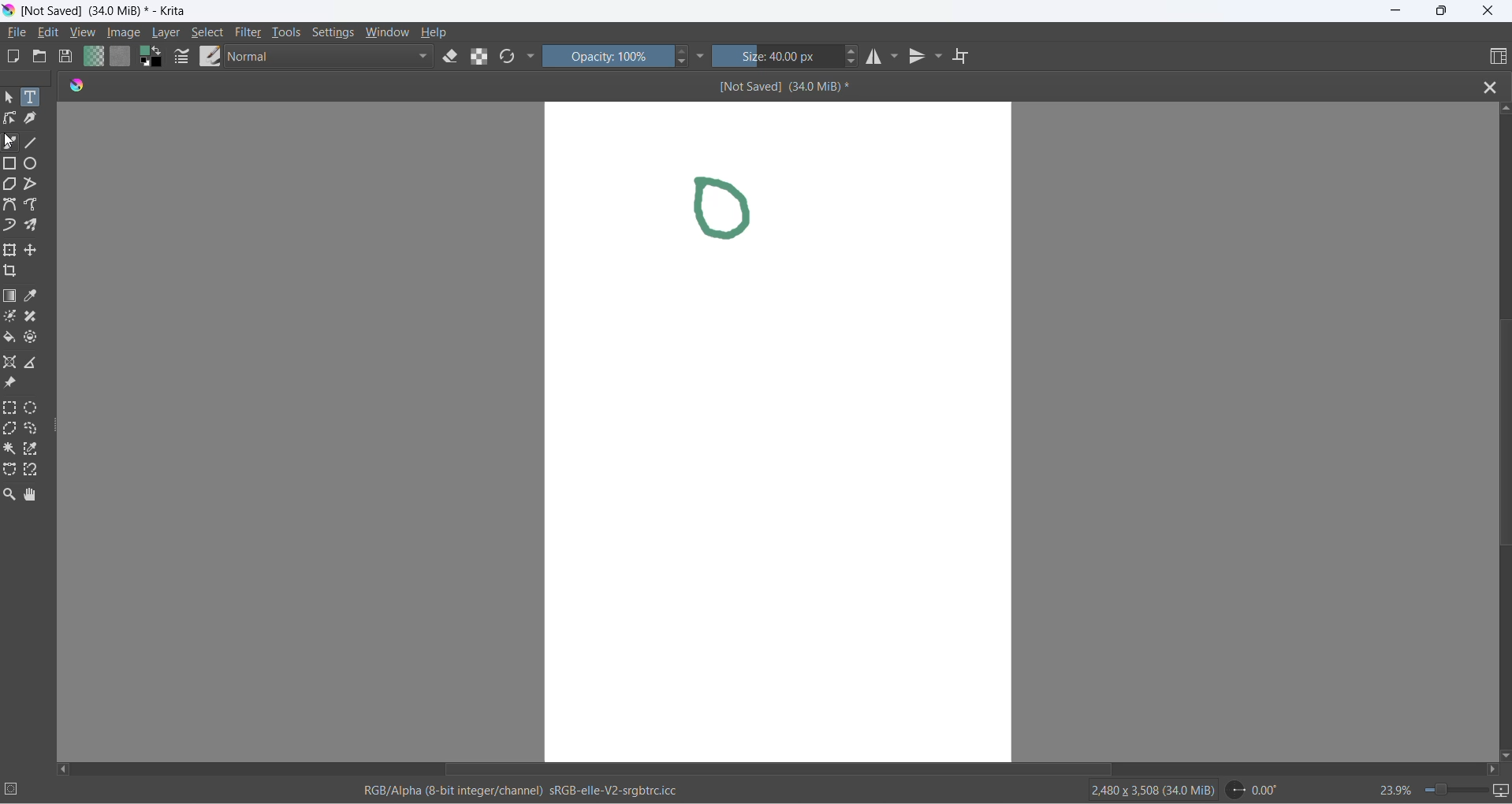 The image size is (1512, 804). What do you see at coordinates (1254, 790) in the screenshot?
I see `0.00` at bounding box center [1254, 790].